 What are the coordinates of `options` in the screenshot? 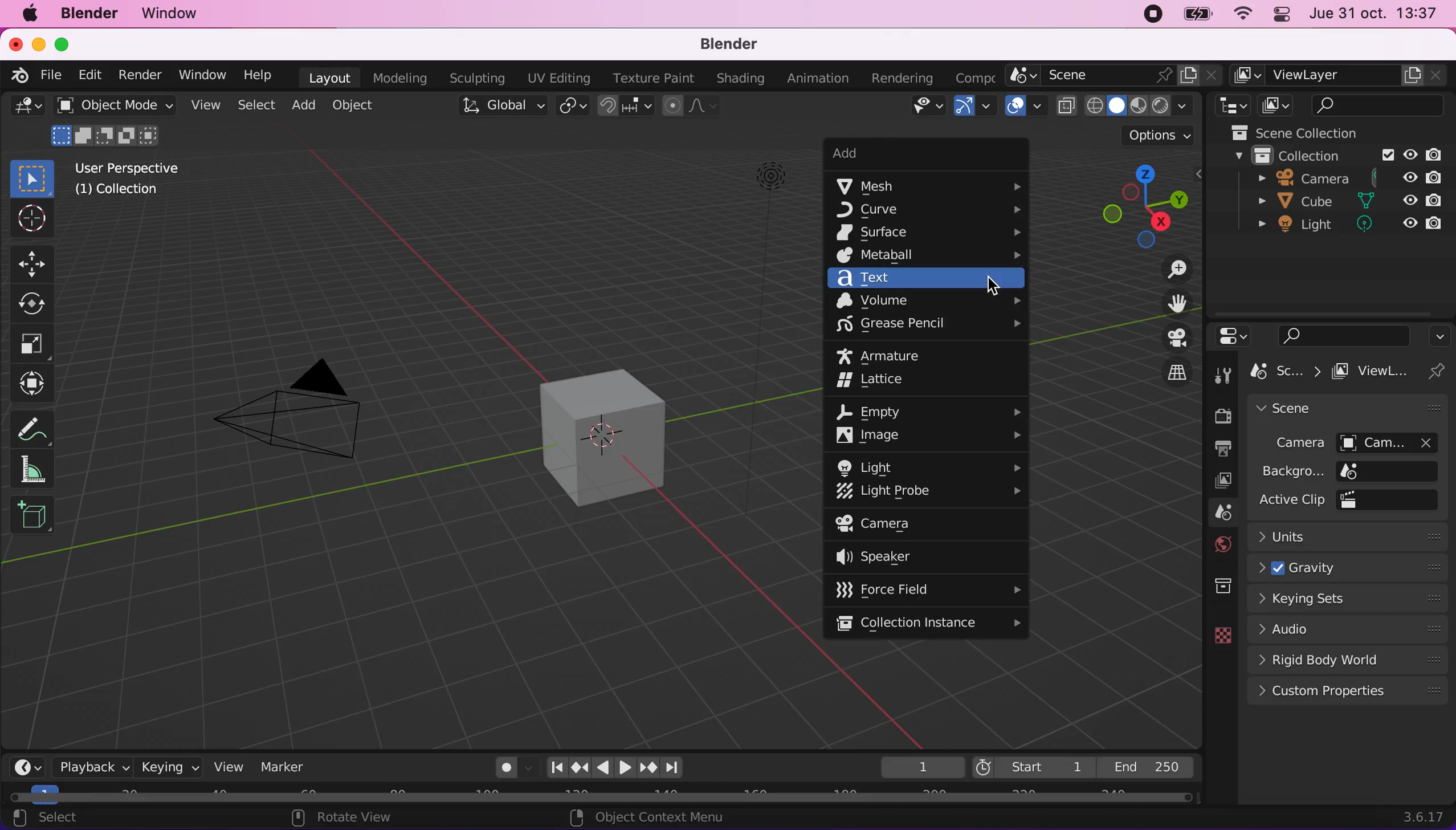 It's located at (1439, 334).